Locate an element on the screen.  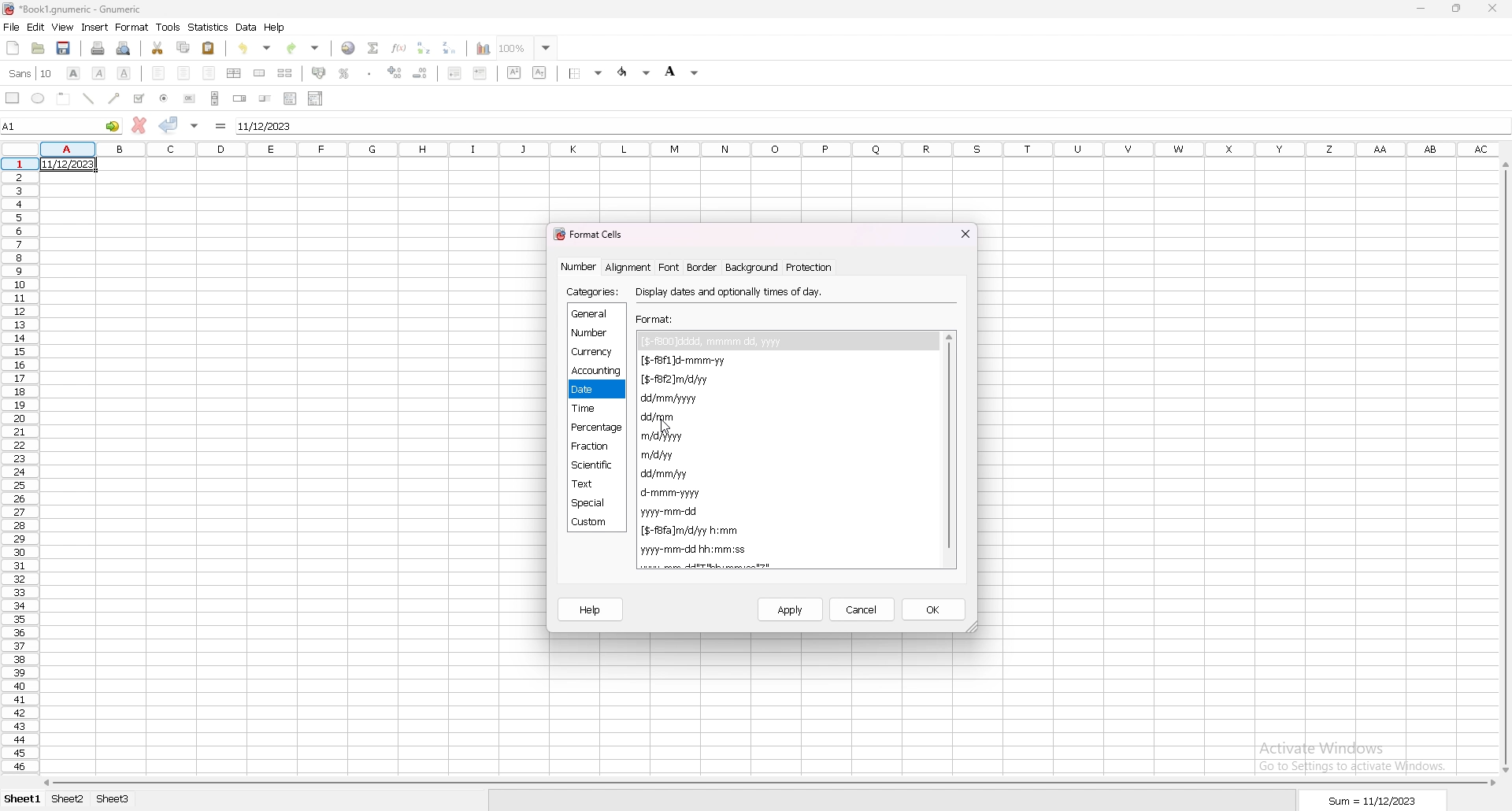
cursor is located at coordinates (665, 427).